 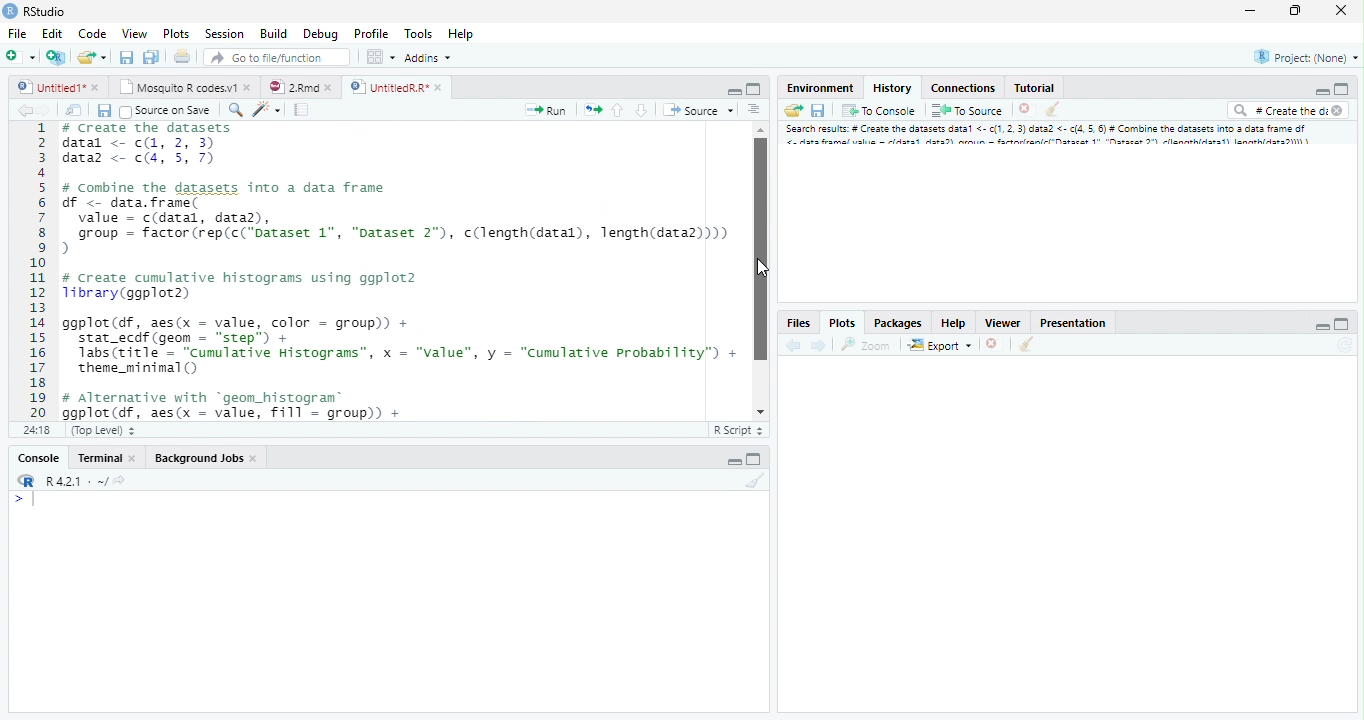 I want to click on Print, so click(x=185, y=57).